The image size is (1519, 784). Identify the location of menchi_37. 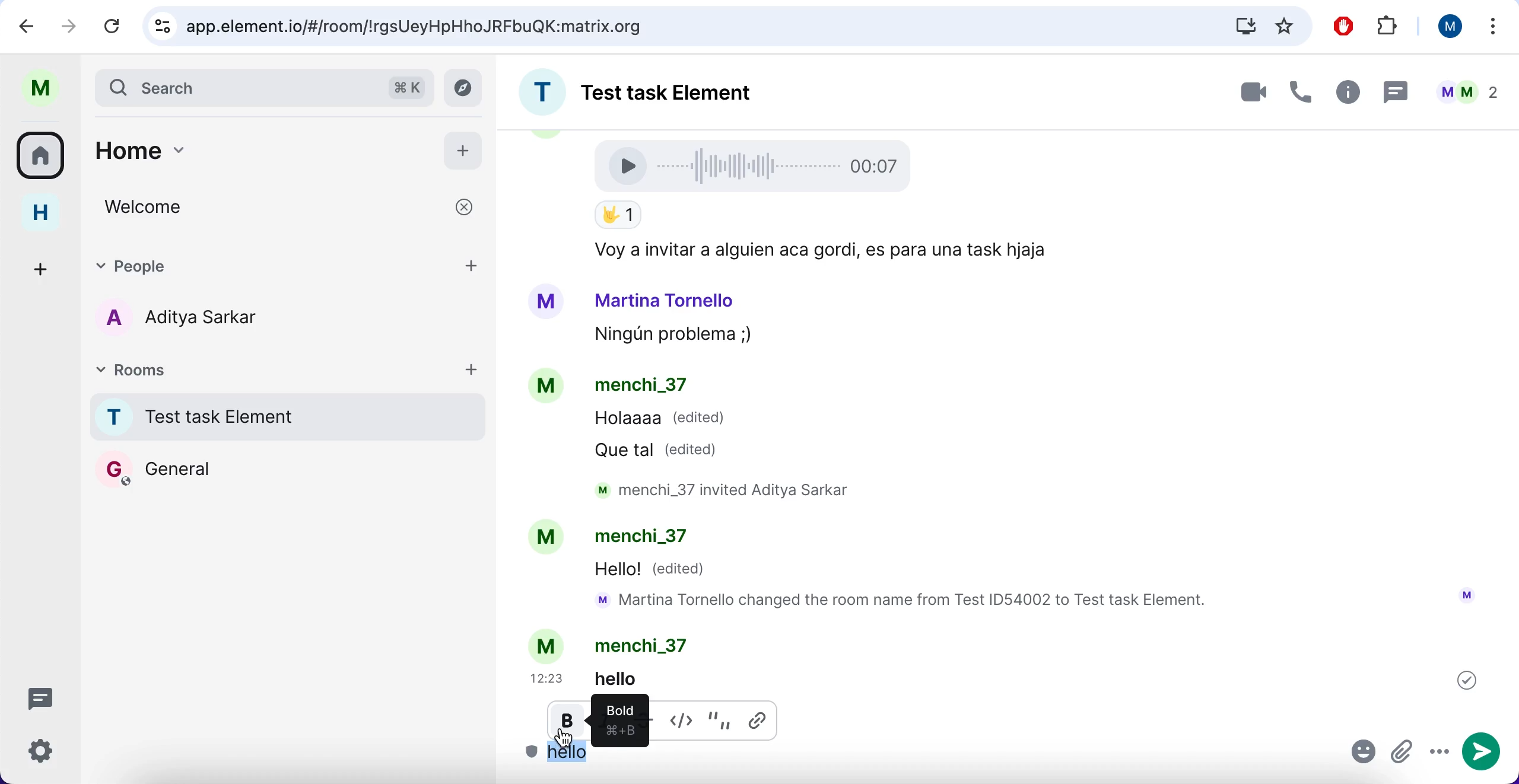
(641, 387).